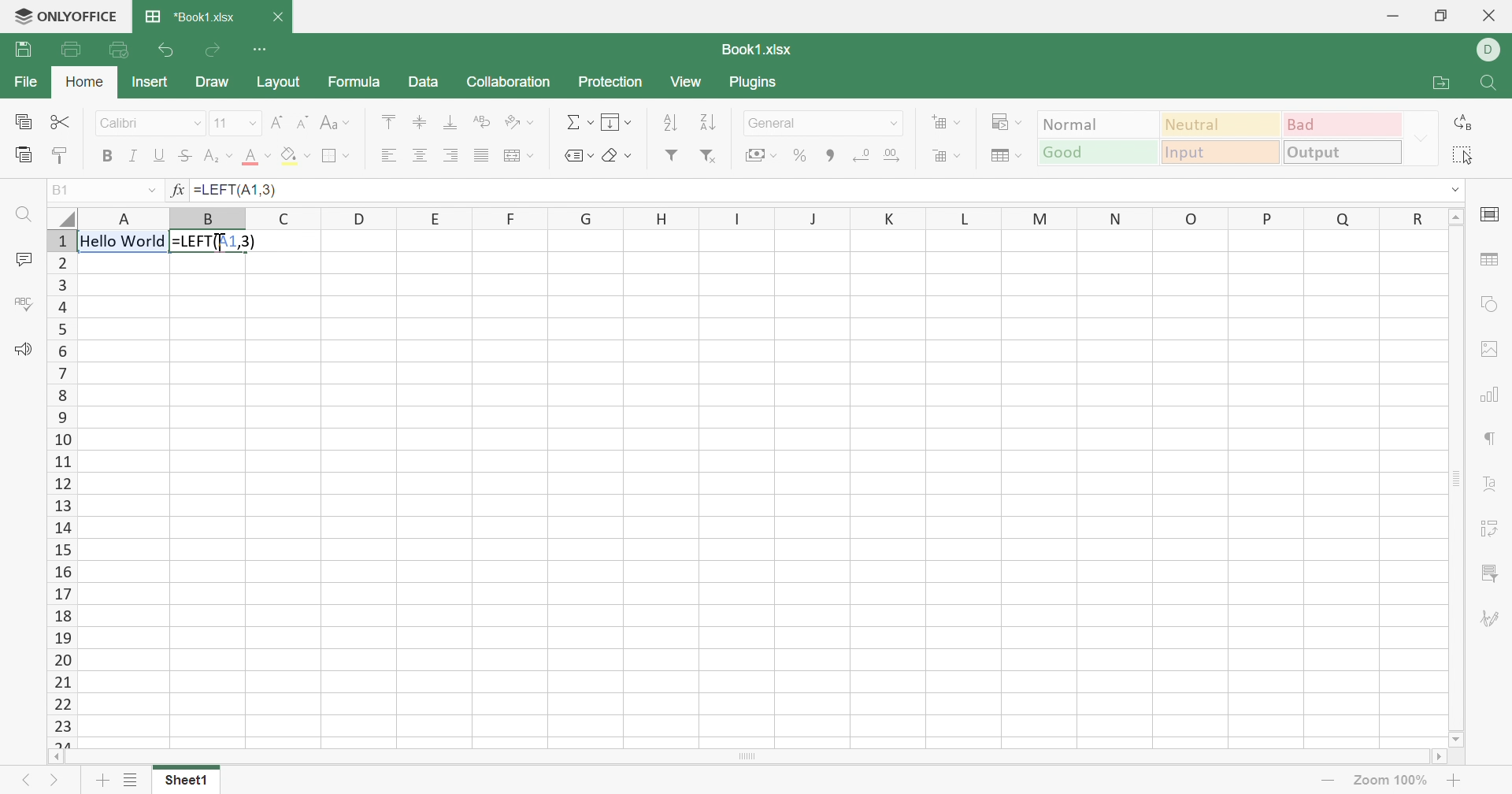  Describe the element at coordinates (1494, 348) in the screenshot. I see `Image settings` at that location.